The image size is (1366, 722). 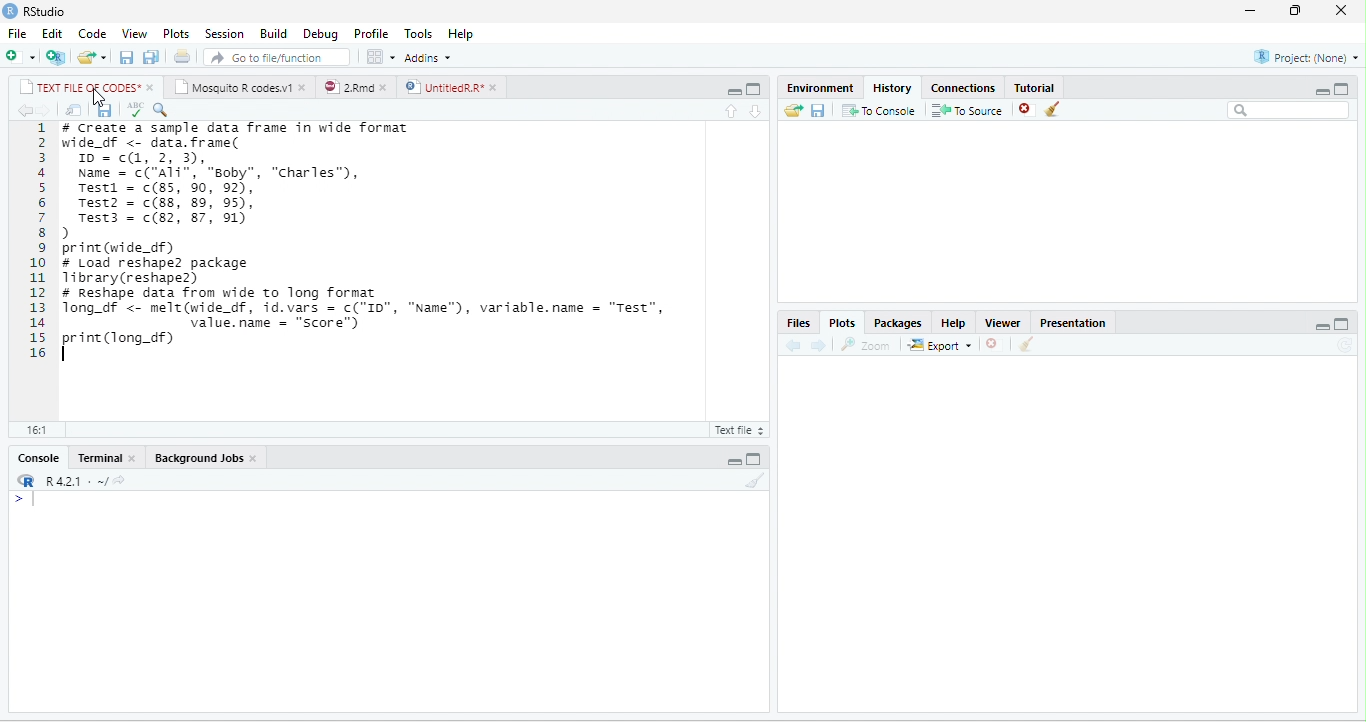 I want to click on maximize, so click(x=1343, y=324).